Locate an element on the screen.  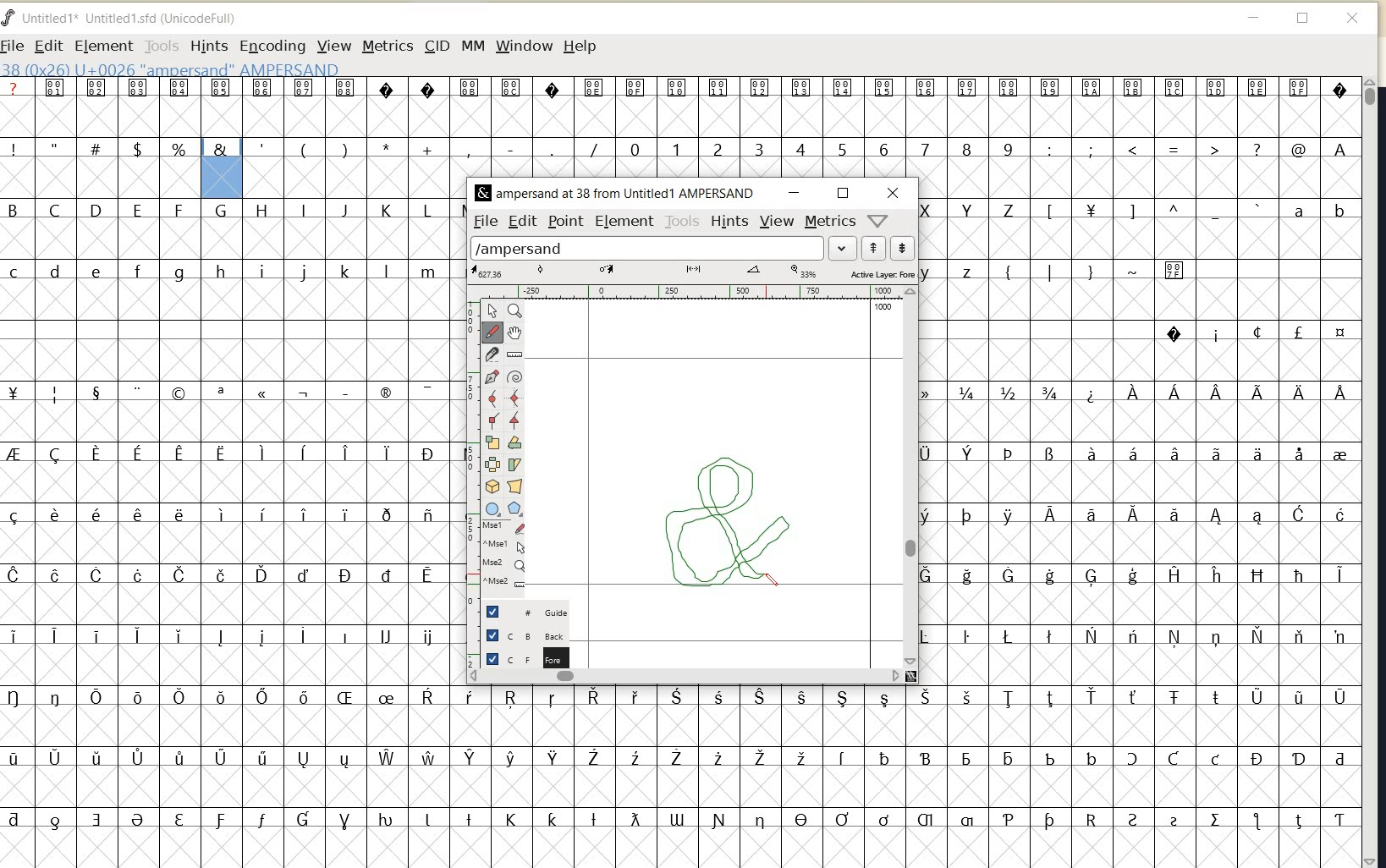
MM is located at coordinates (471, 45).